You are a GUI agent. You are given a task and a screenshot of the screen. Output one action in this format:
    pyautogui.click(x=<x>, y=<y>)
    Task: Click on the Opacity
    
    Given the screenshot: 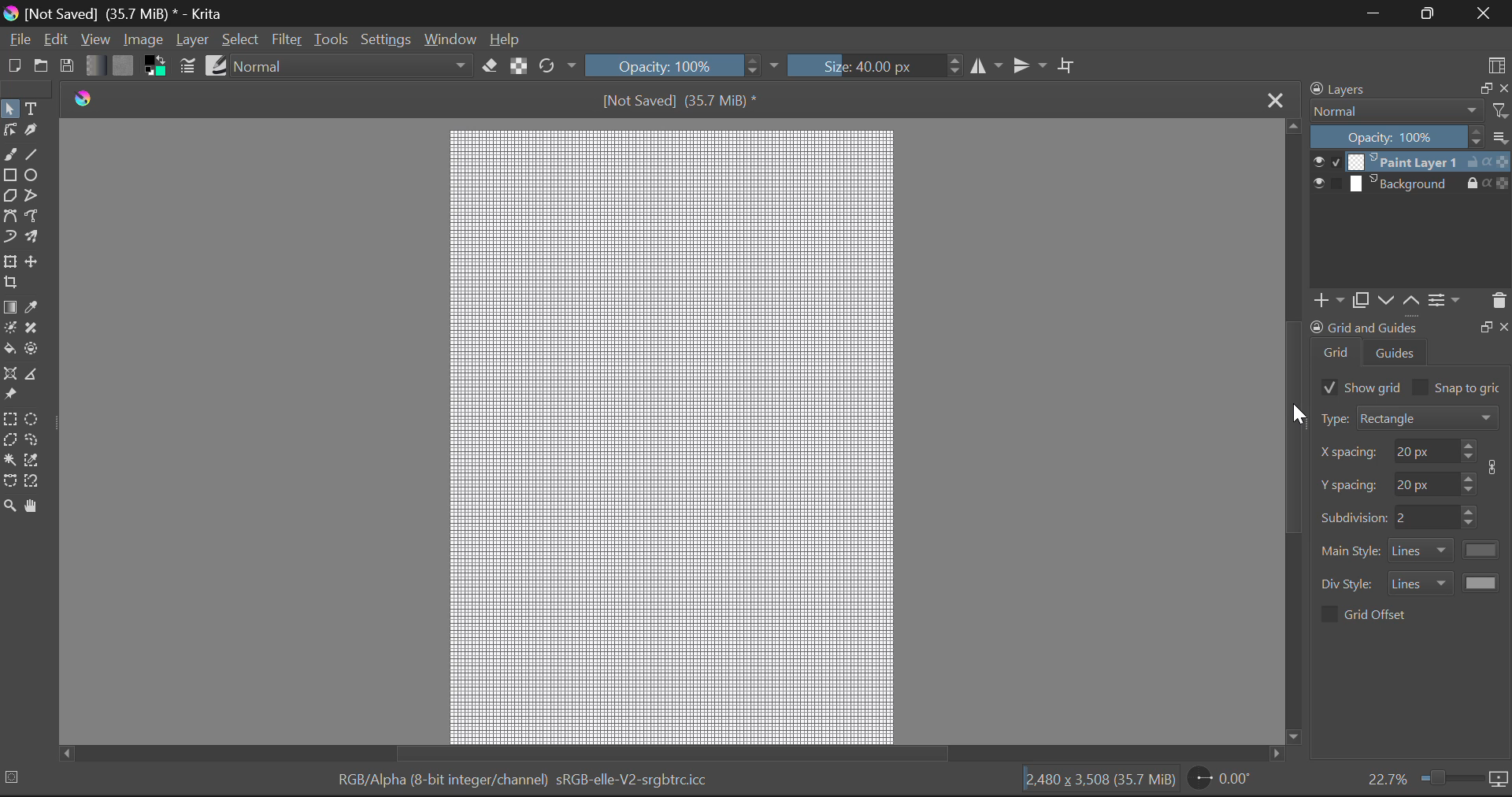 What is the action you would take?
    pyautogui.click(x=682, y=65)
    